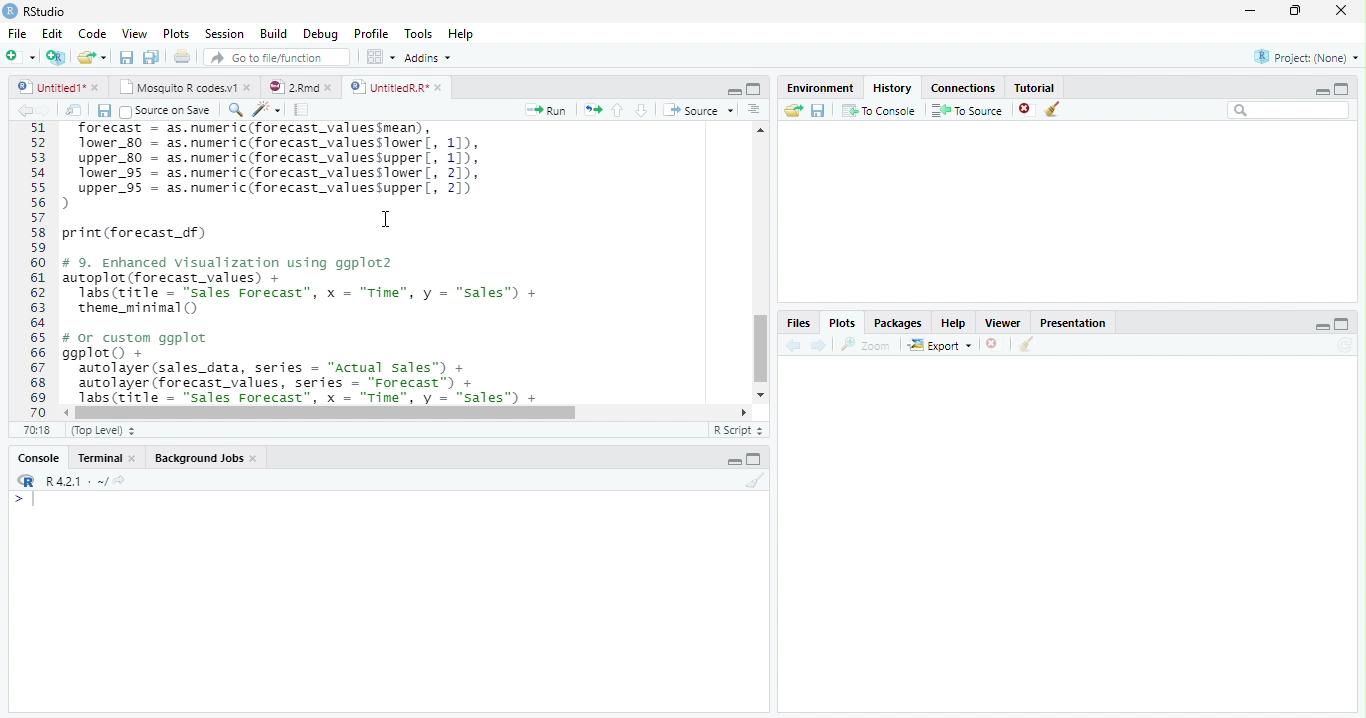 The height and width of the screenshot is (718, 1366). I want to click on Refresh, so click(1345, 346).